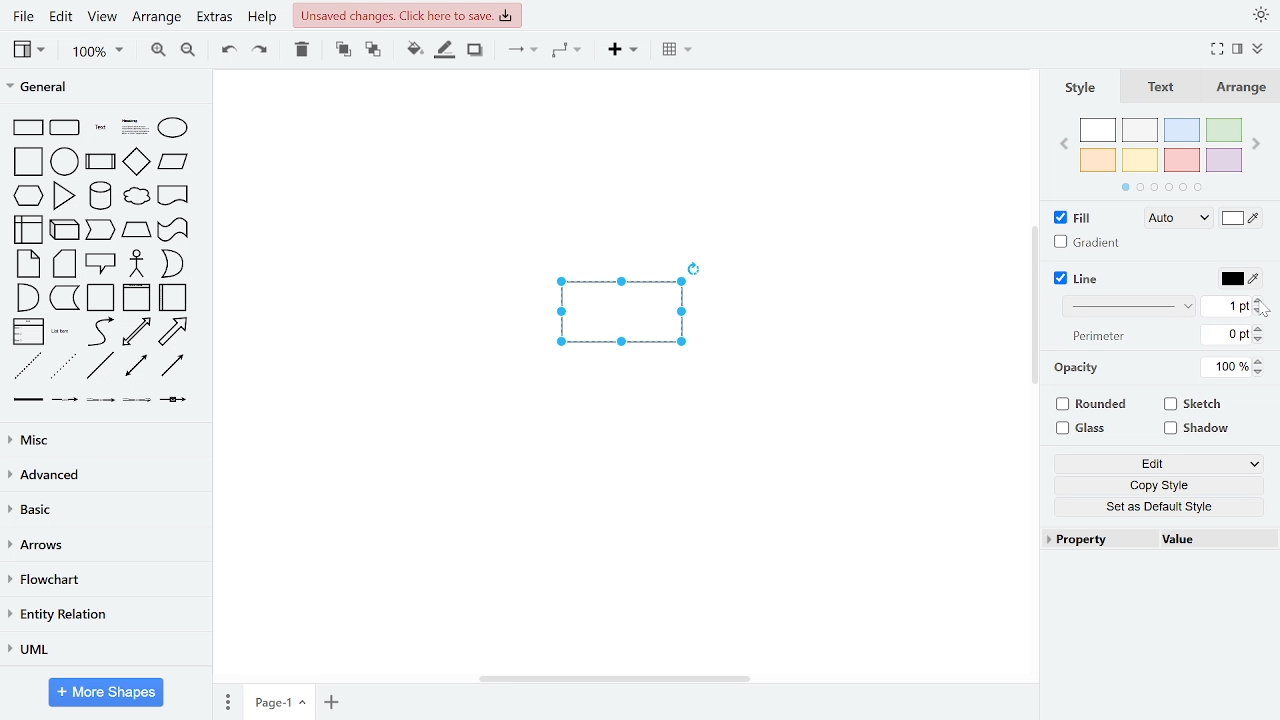 The width and height of the screenshot is (1280, 720). I want to click on redo, so click(262, 53).